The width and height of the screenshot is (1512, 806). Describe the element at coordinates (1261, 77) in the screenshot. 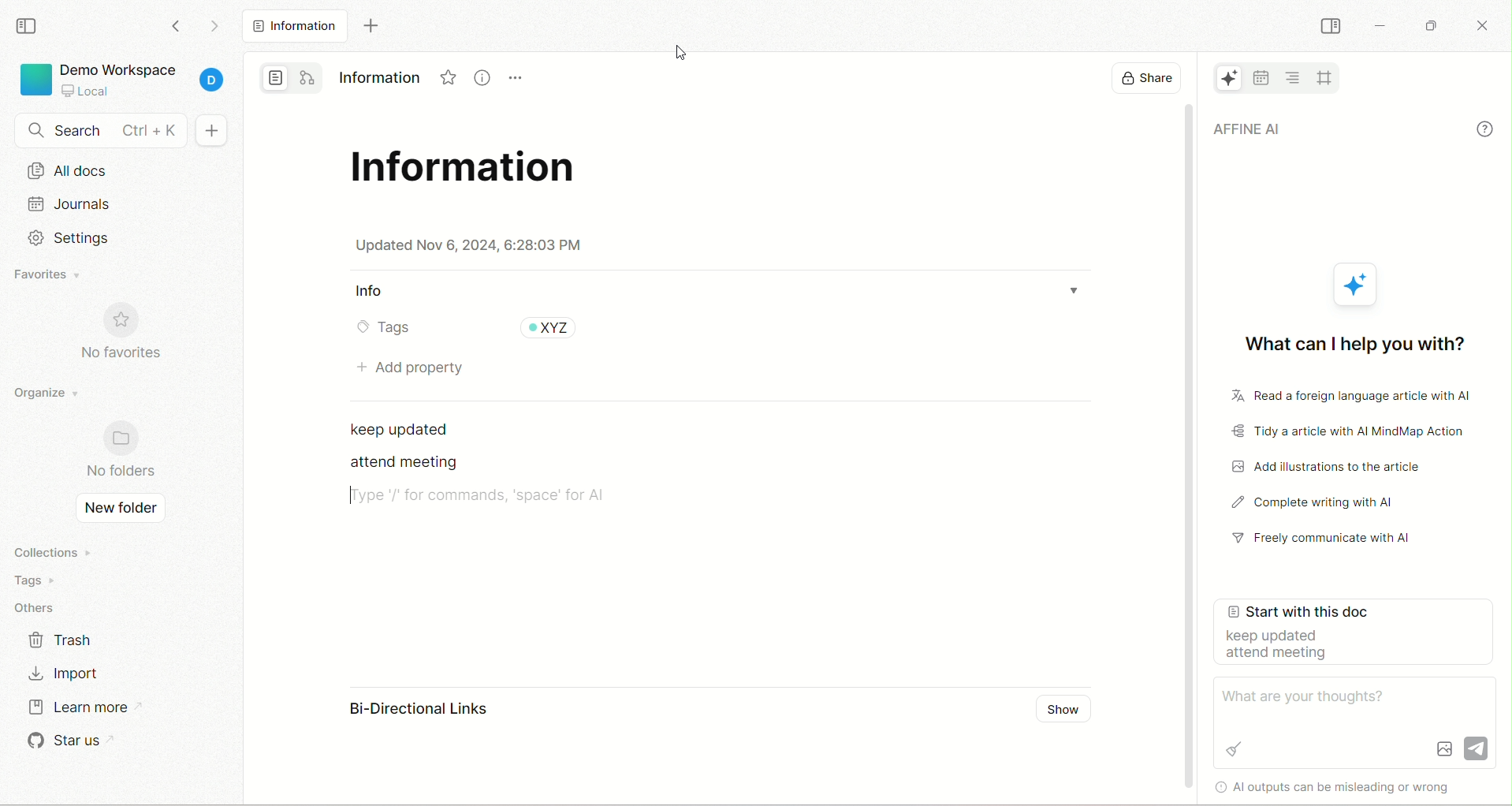

I see `calender` at that location.